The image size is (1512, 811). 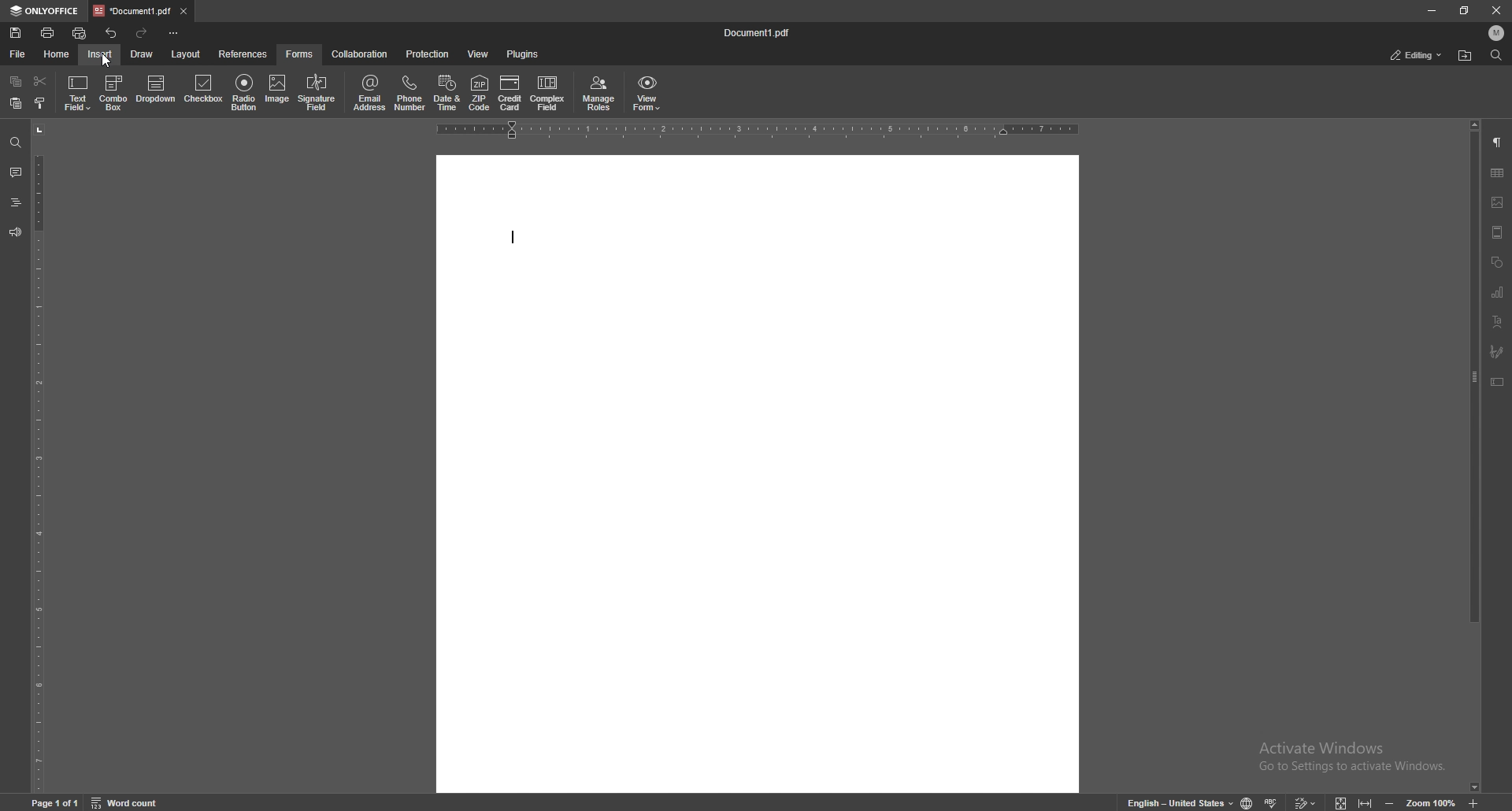 What do you see at coordinates (1417, 55) in the screenshot?
I see `editing` at bounding box center [1417, 55].